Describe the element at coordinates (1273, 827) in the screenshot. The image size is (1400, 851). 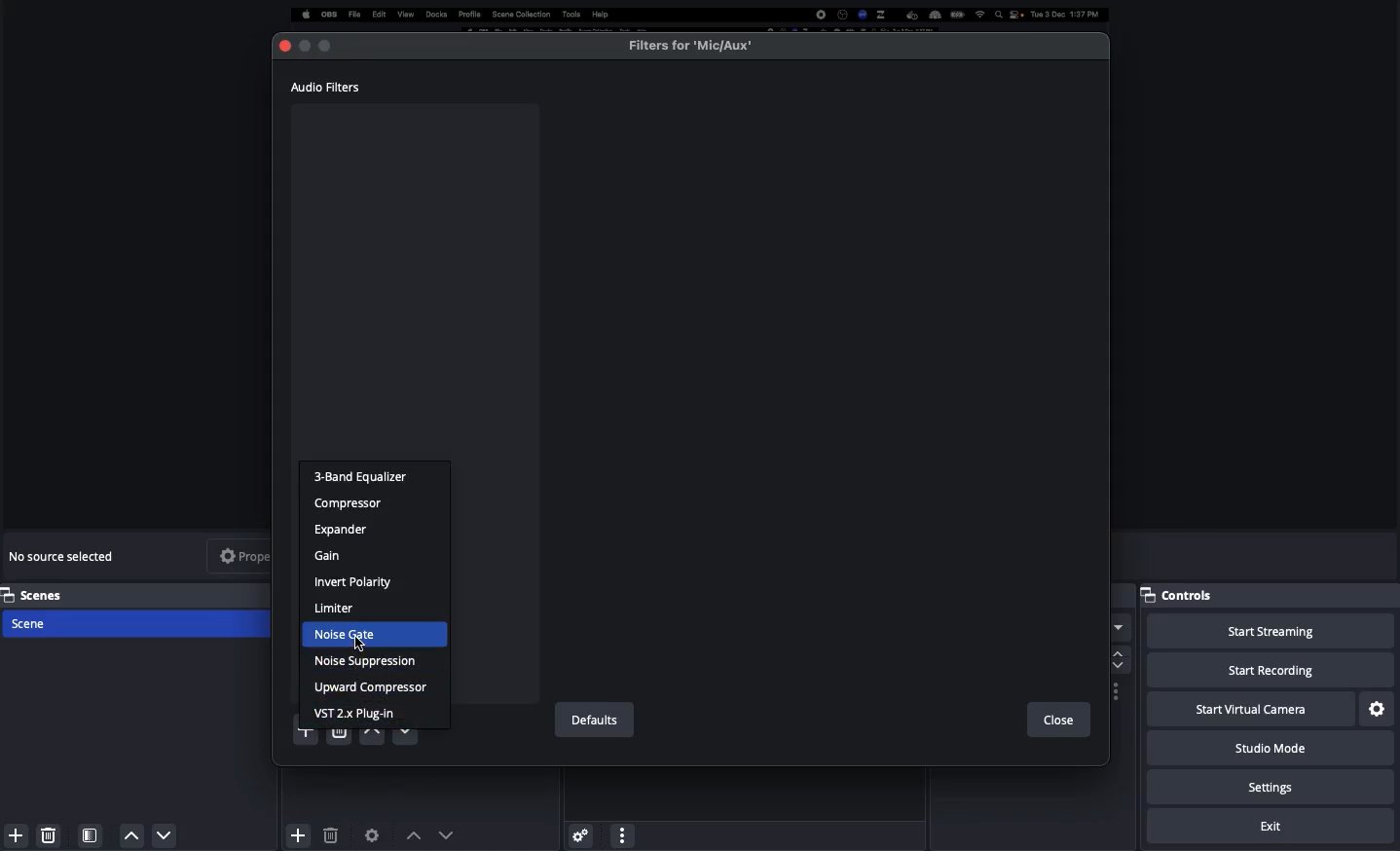
I see `Exit` at that location.